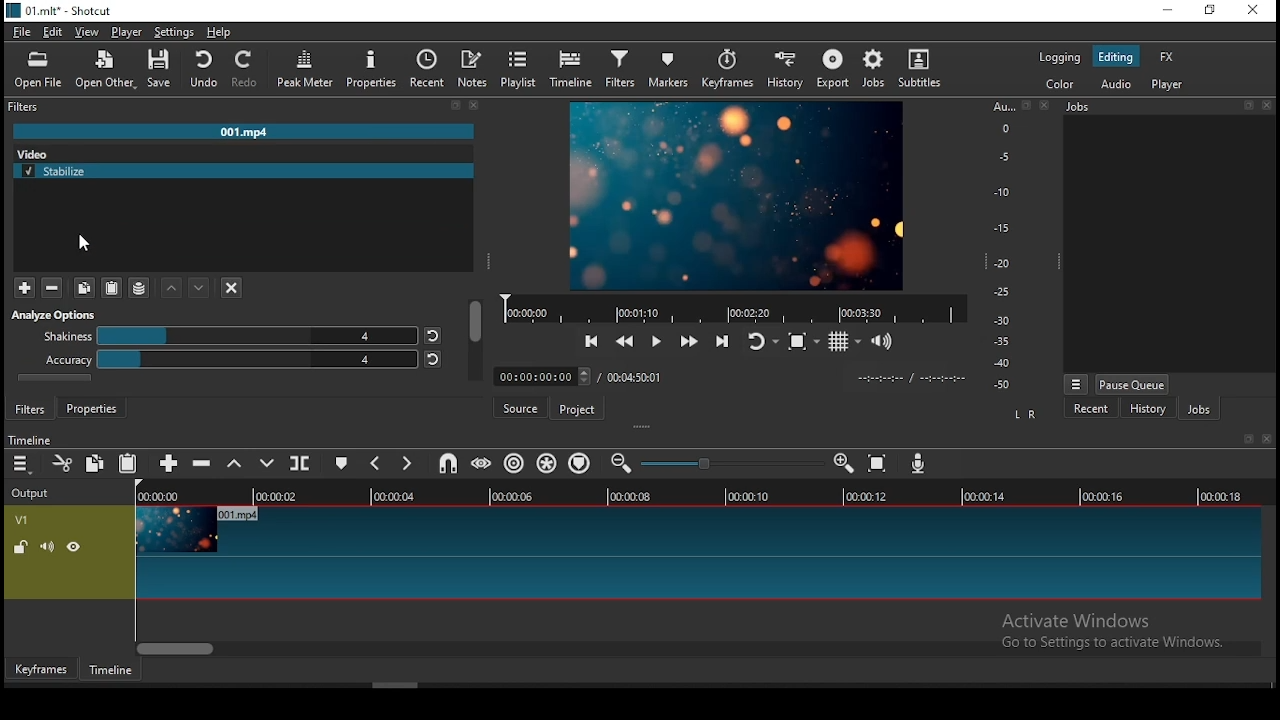 The width and height of the screenshot is (1280, 720). I want to click on skip to previous point, so click(592, 343).